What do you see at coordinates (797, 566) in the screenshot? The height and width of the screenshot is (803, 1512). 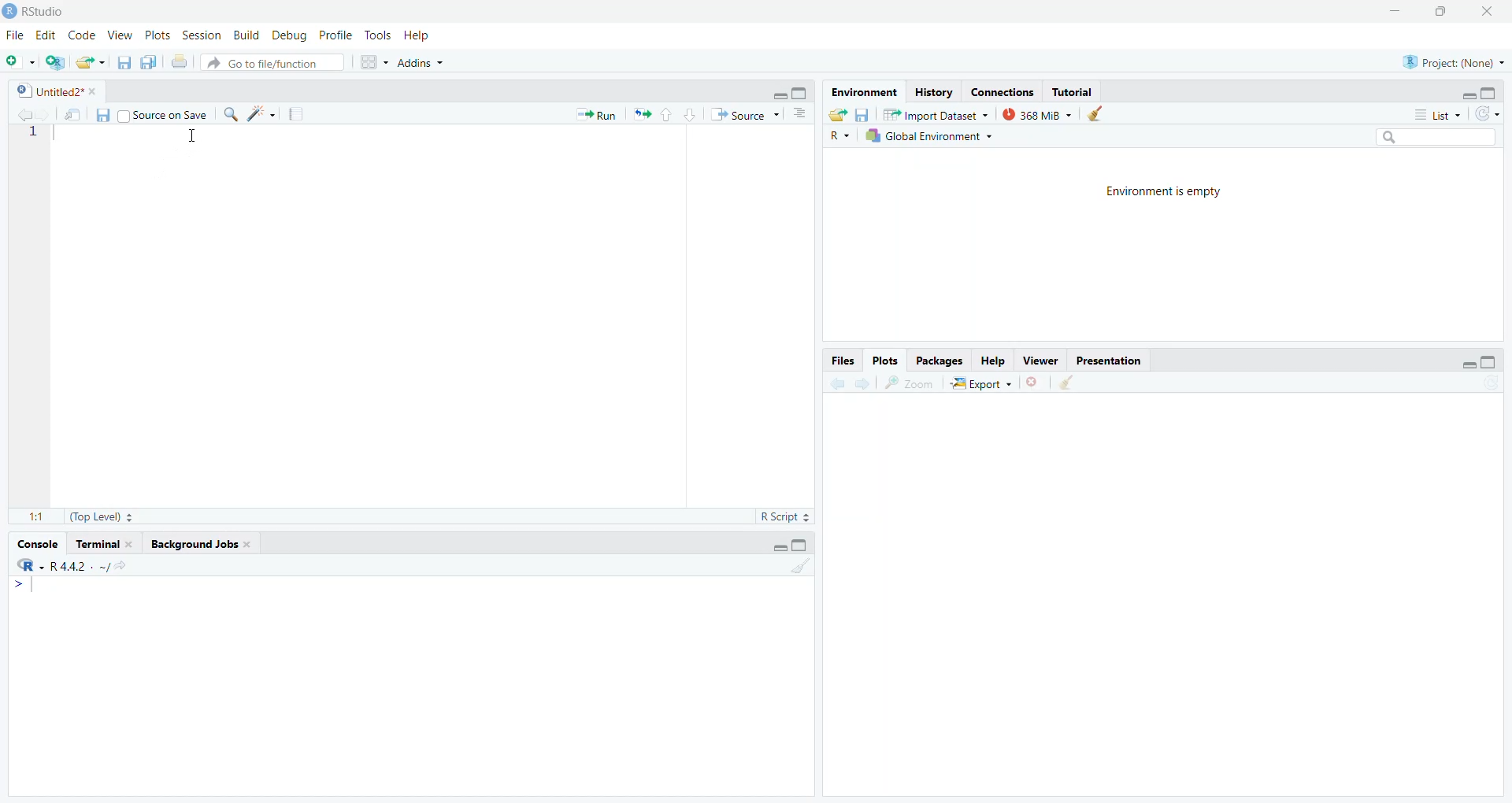 I see `clear` at bounding box center [797, 566].